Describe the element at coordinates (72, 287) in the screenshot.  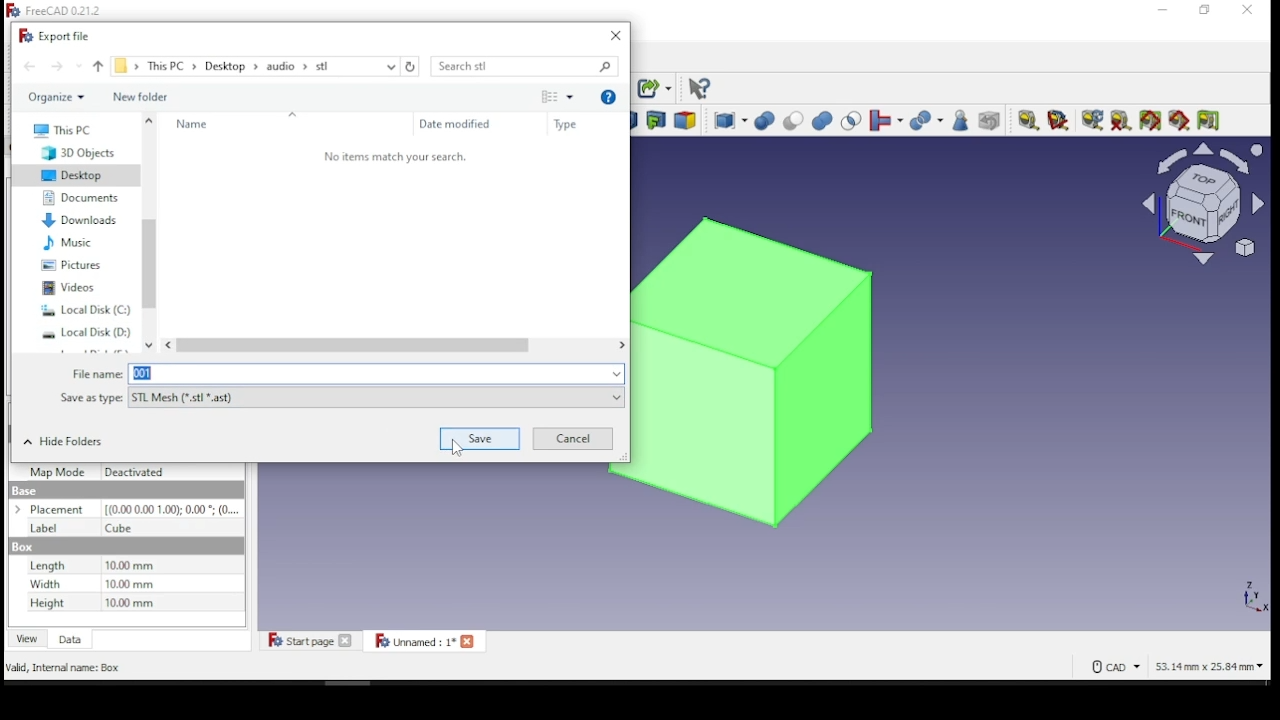
I see `videos` at that location.